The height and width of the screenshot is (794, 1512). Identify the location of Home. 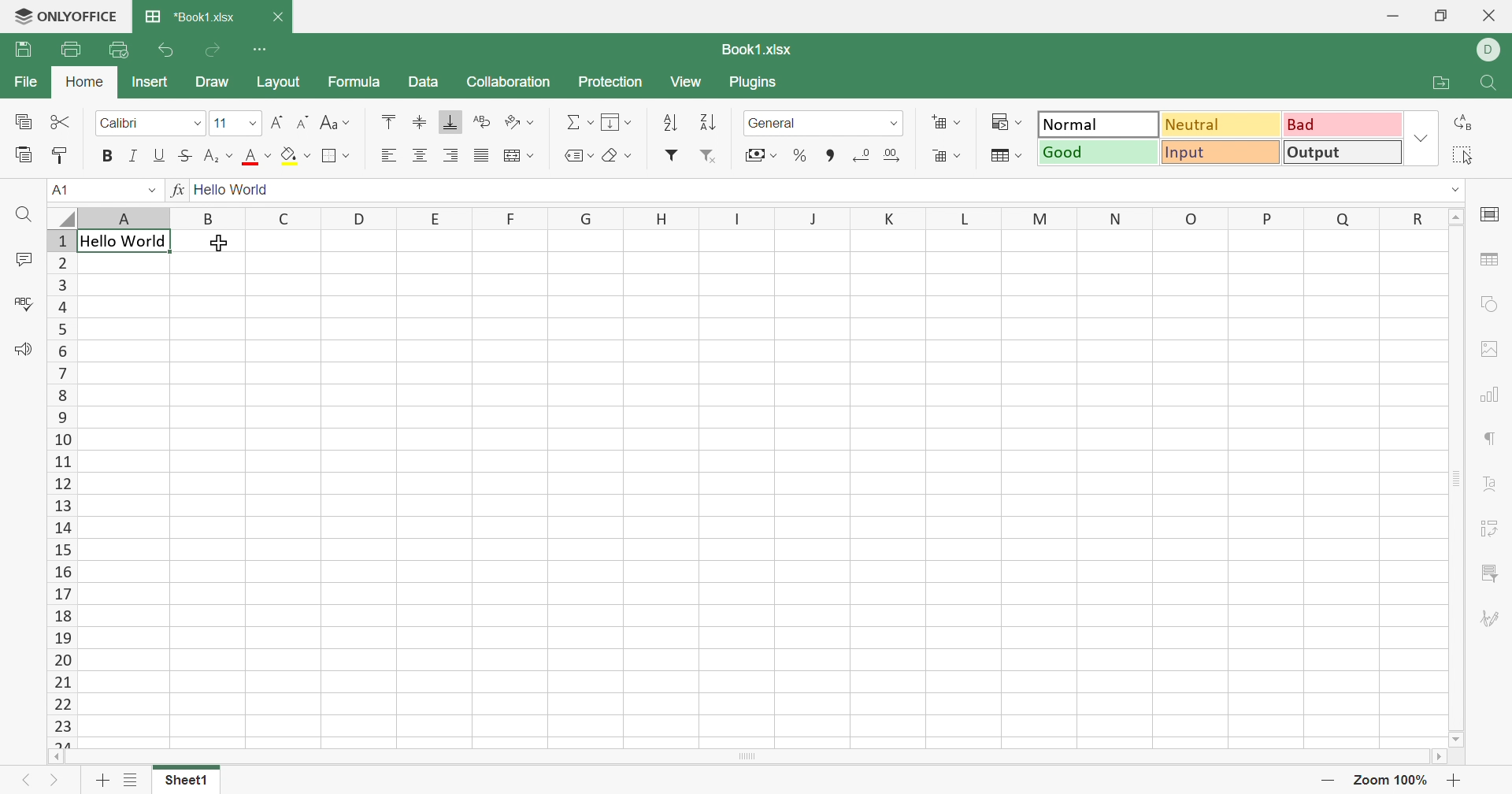
(84, 81).